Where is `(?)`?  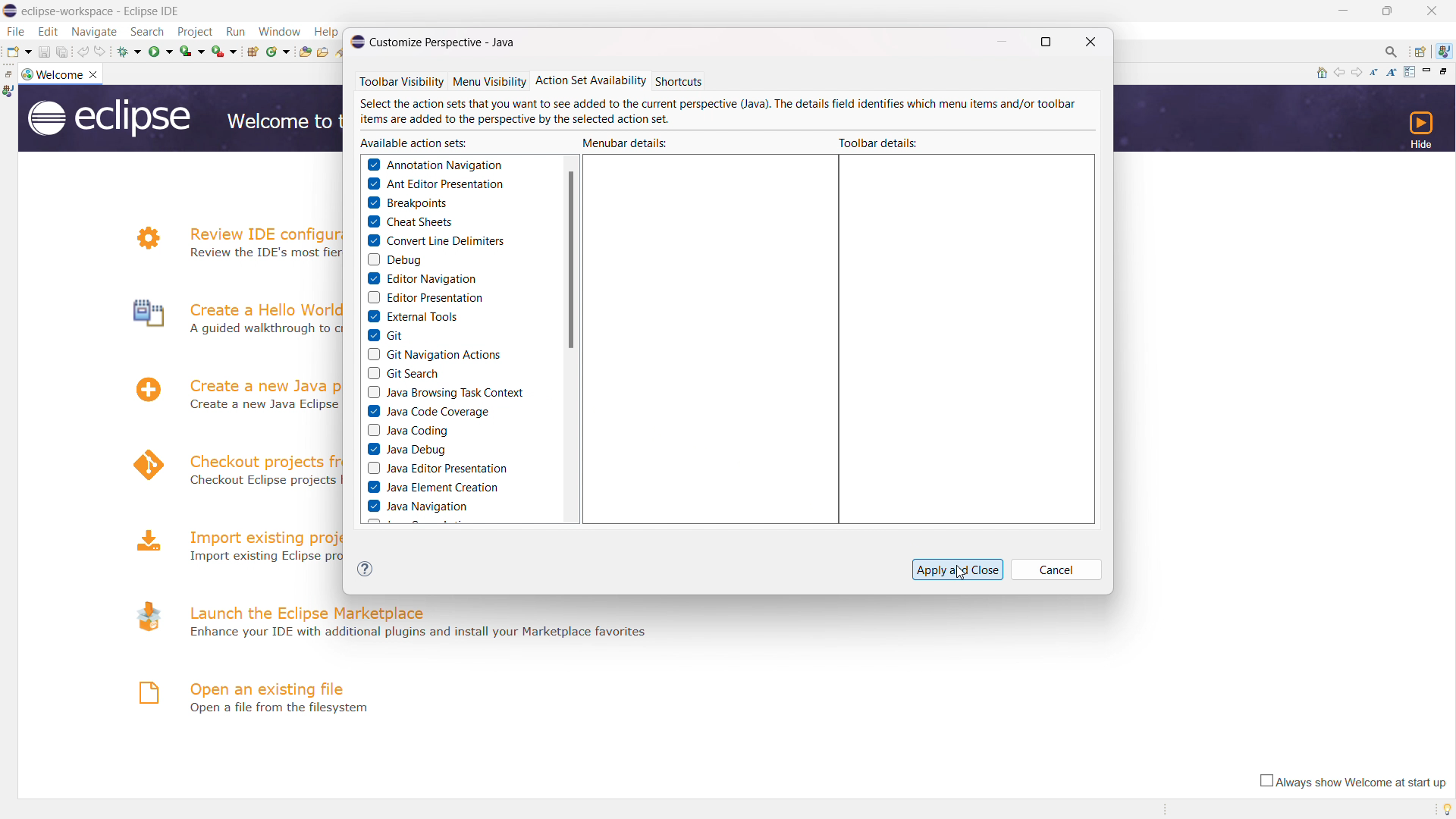 (?) is located at coordinates (364, 570).